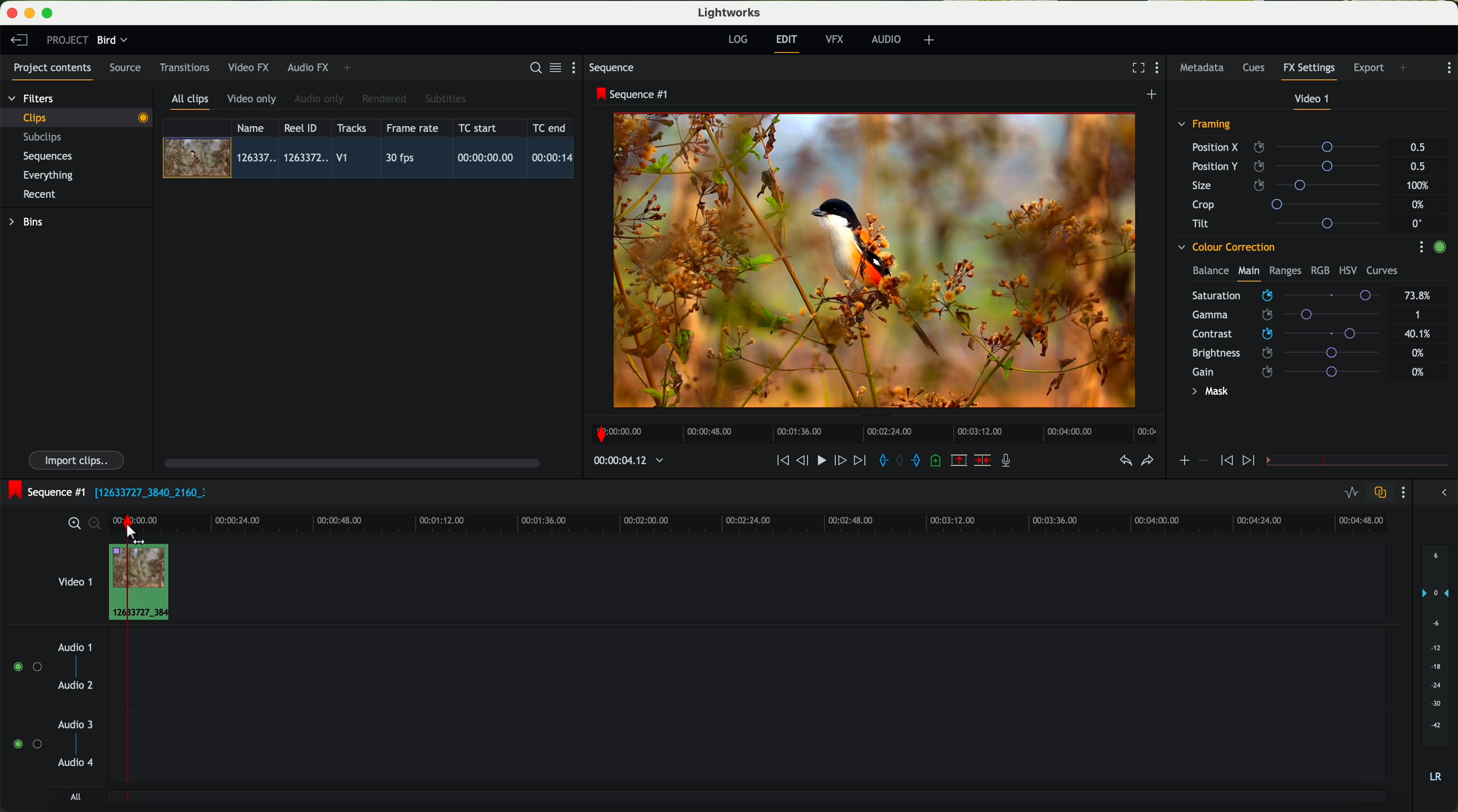  Describe the element at coordinates (320, 99) in the screenshot. I see `audio only` at that location.